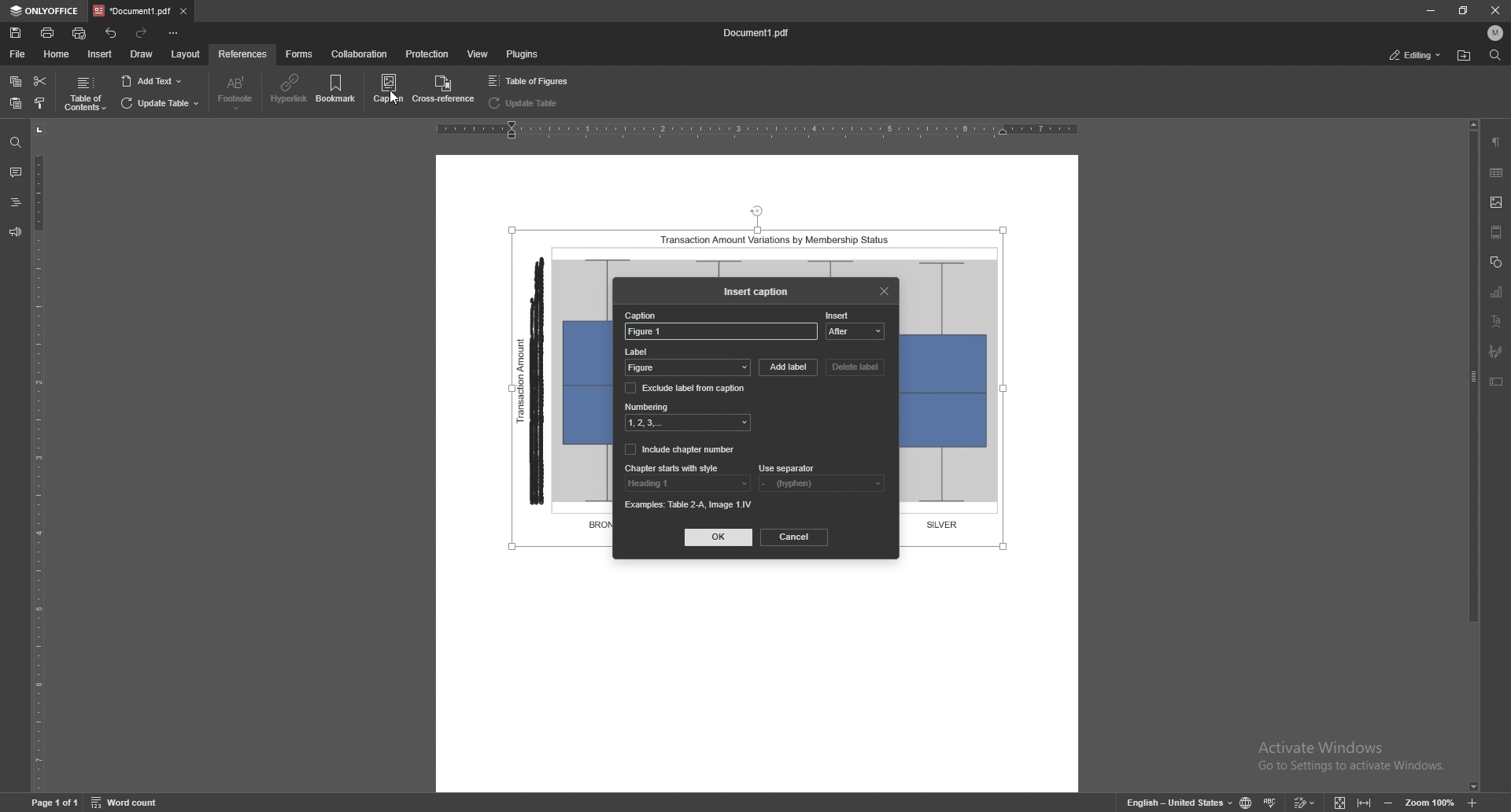 The image size is (1511, 812). Describe the element at coordinates (45, 457) in the screenshot. I see `vertical scale` at that location.